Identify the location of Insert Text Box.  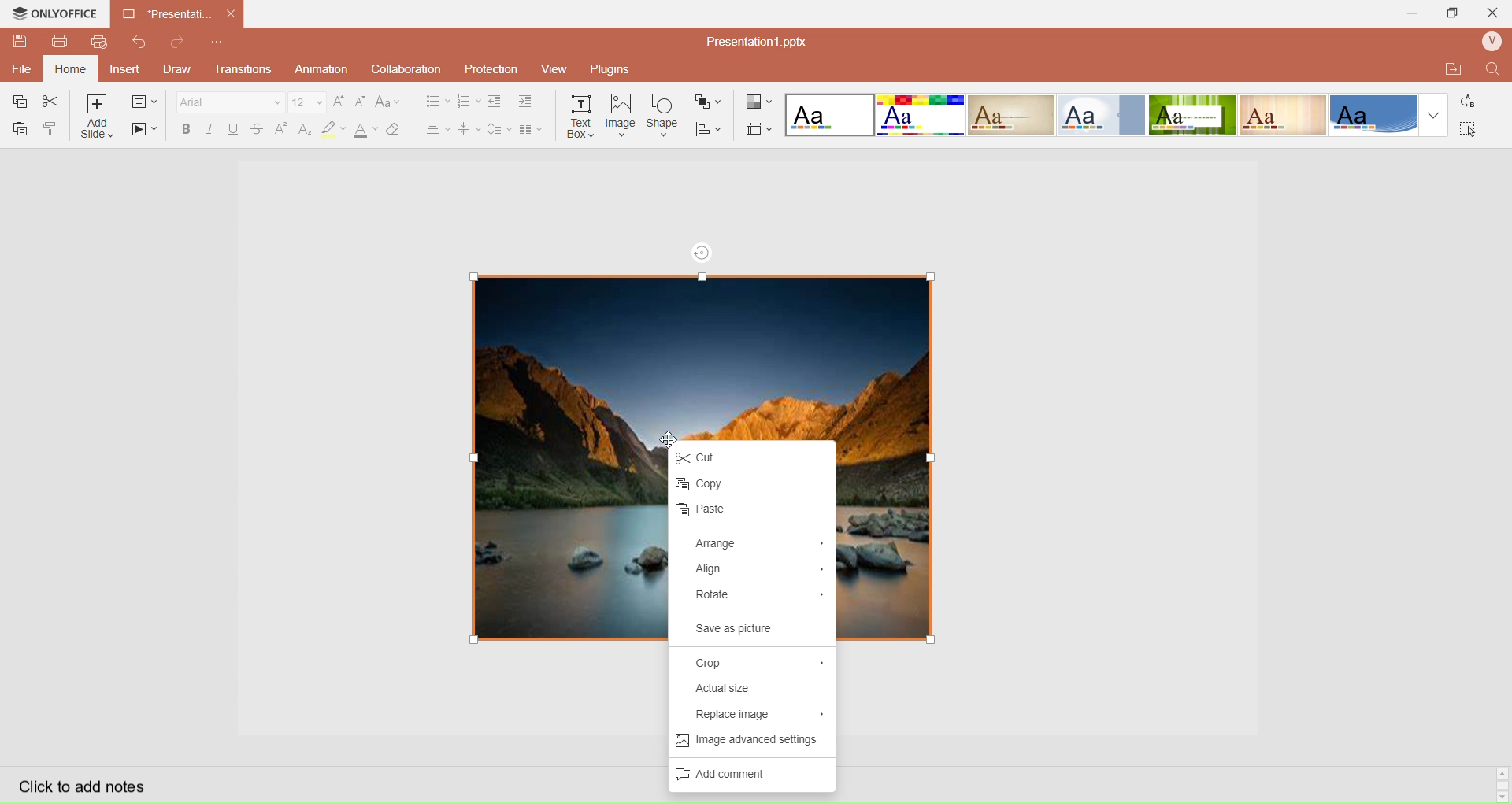
(577, 116).